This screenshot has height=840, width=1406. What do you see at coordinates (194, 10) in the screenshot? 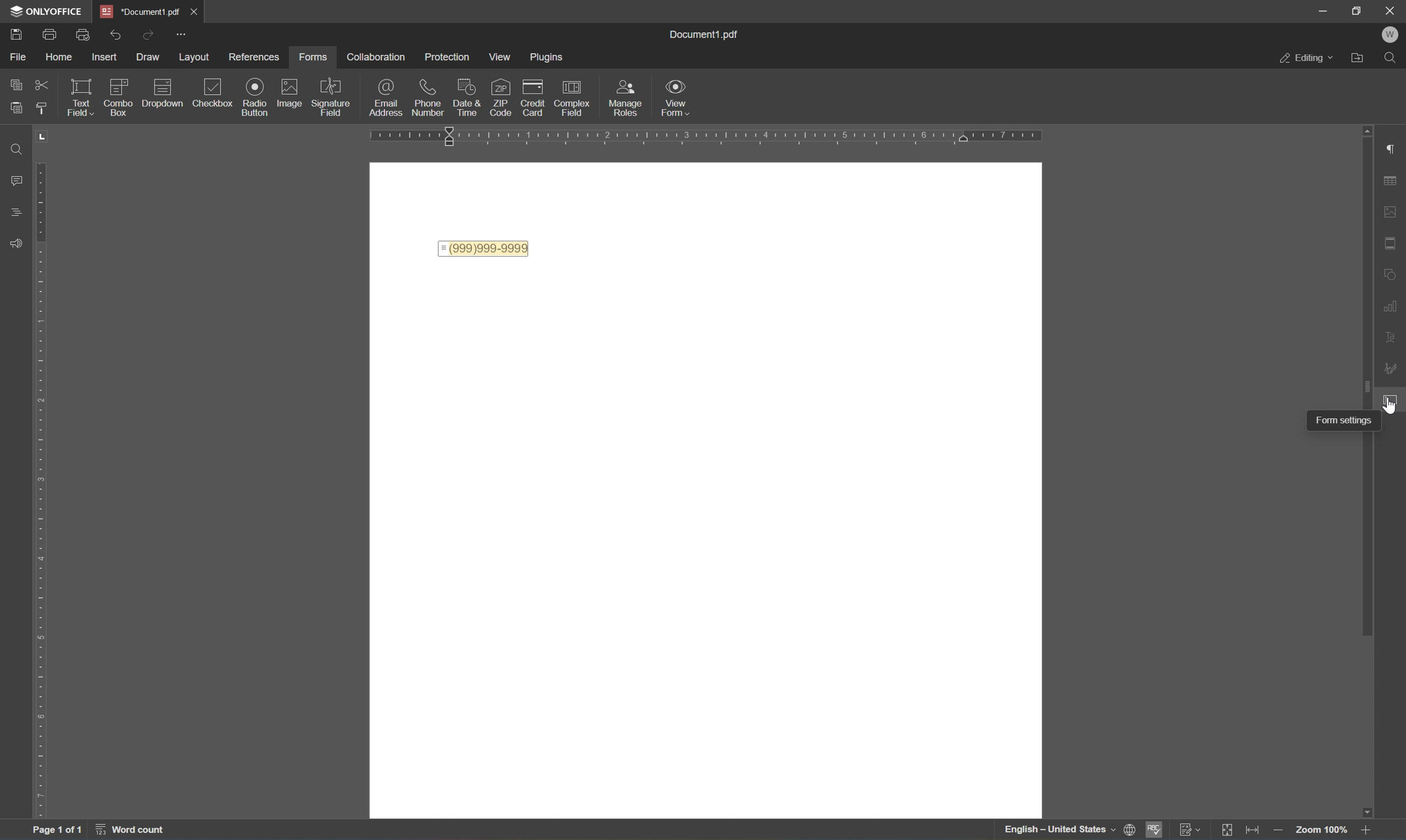
I see `close` at bounding box center [194, 10].